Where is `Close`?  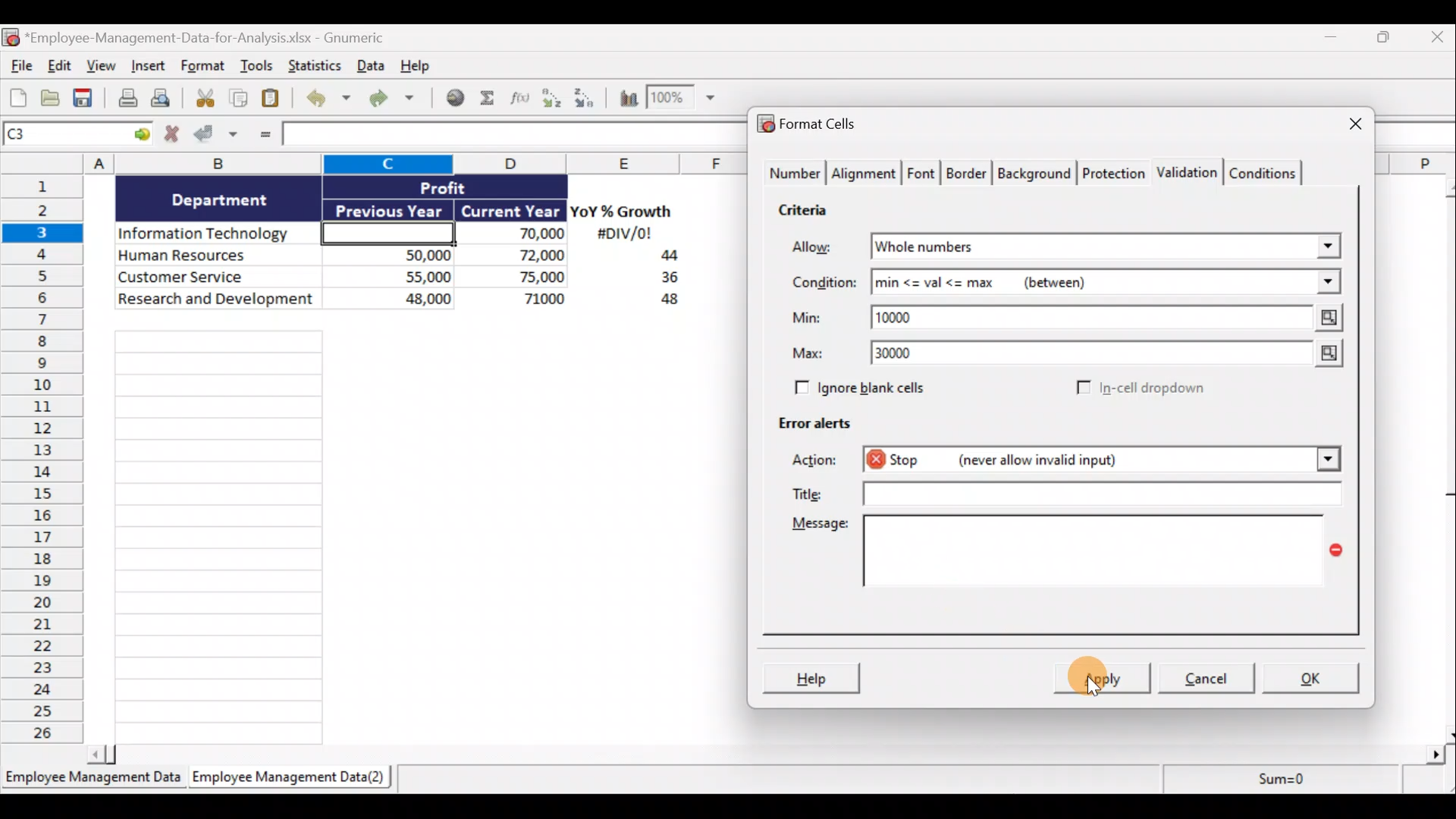
Close is located at coordinates (1434, 40).